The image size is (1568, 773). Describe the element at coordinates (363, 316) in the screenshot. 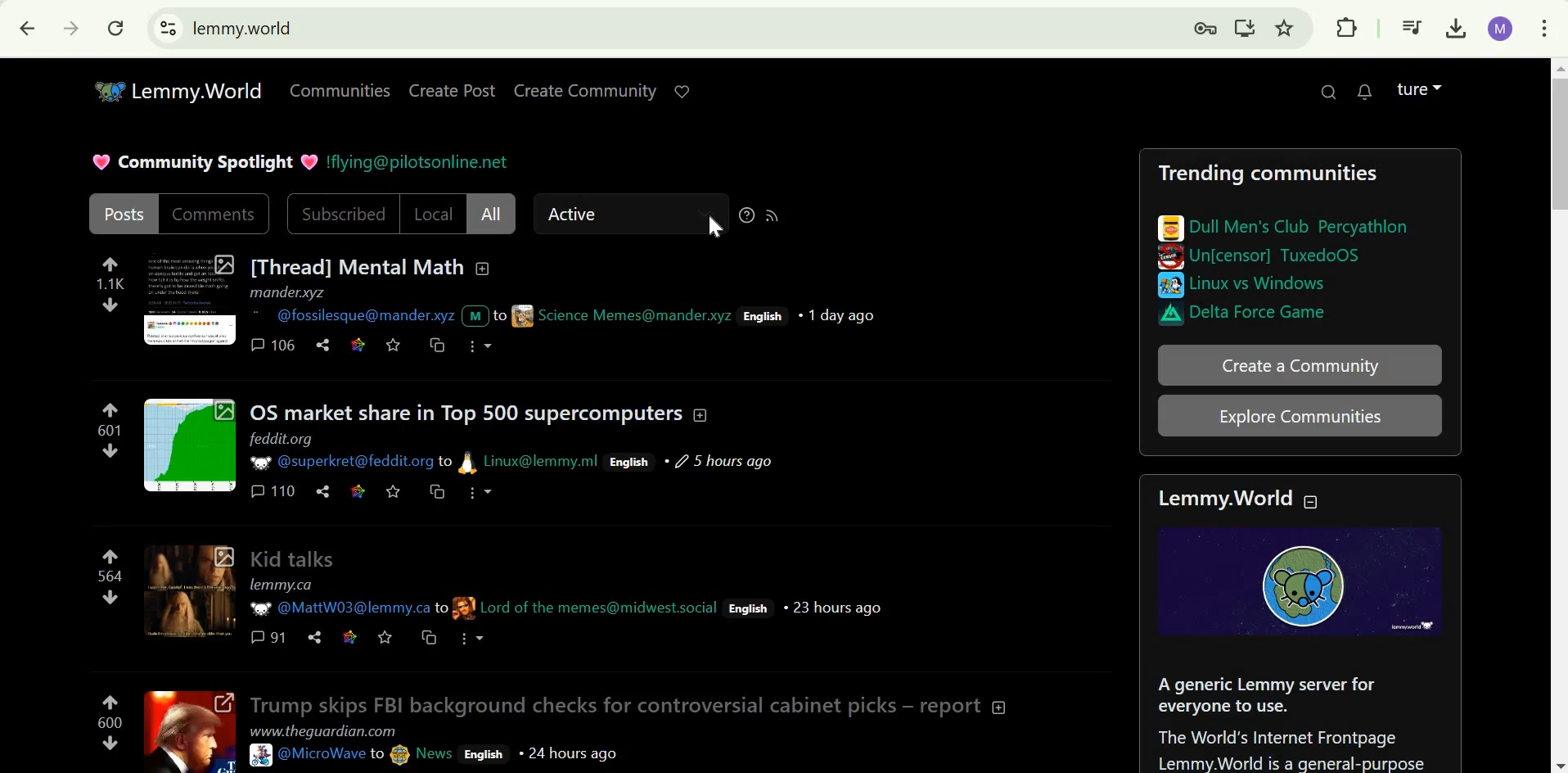

I see `@fossilesque@mander.xyz` at that location.